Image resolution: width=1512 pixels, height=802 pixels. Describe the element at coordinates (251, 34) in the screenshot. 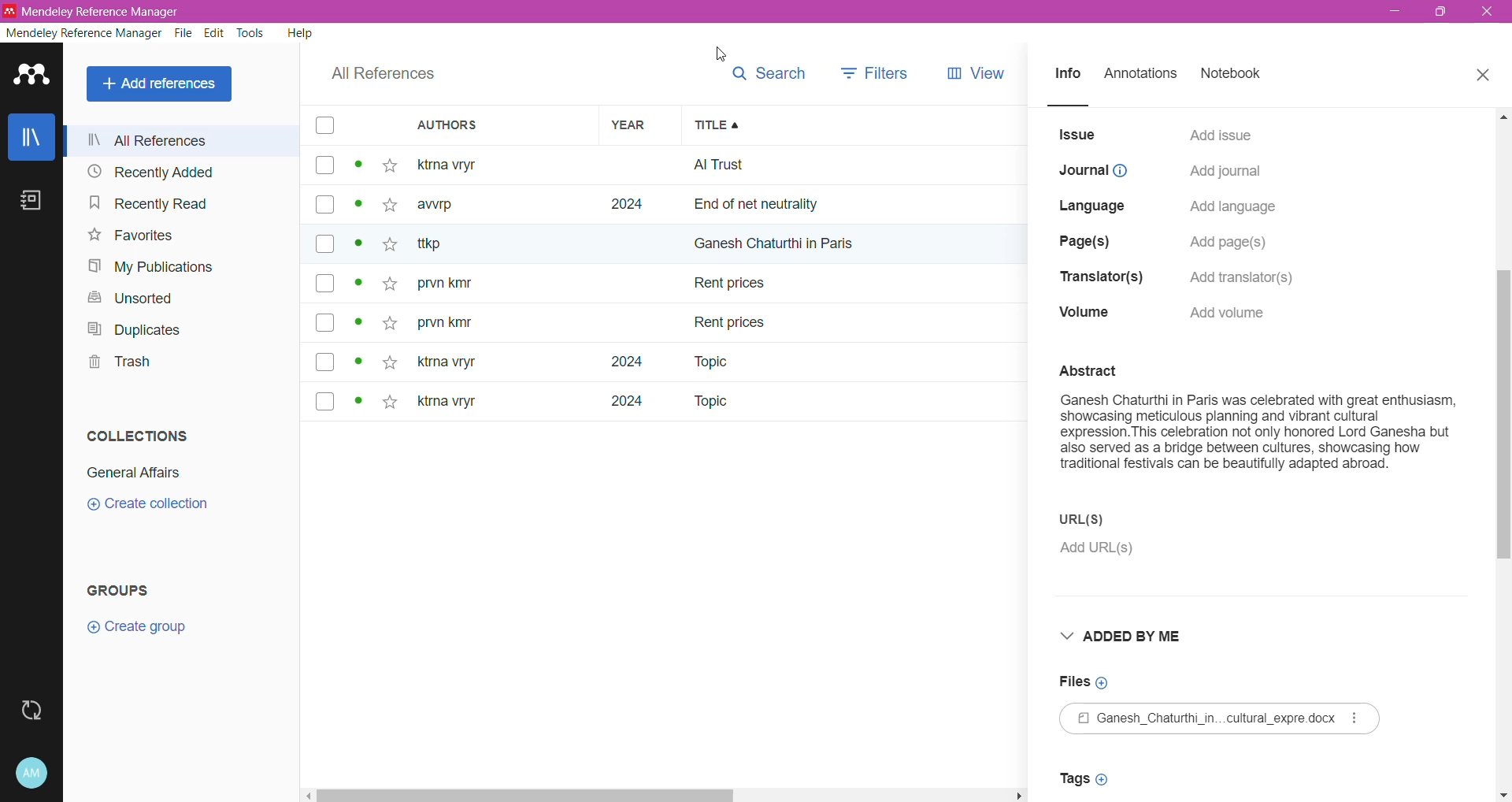

I see `Tools` at that location.